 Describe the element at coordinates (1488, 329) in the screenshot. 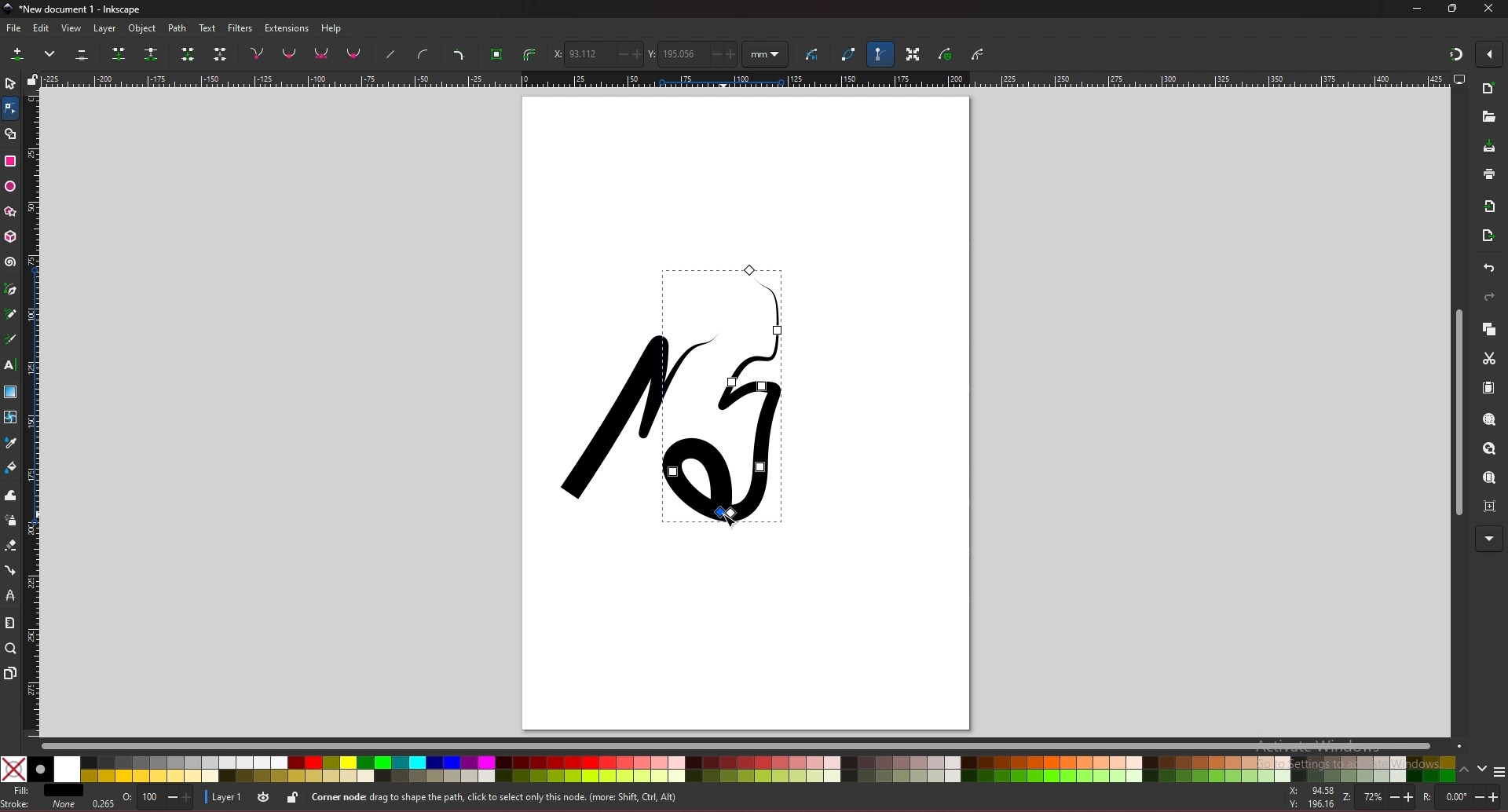

I see `copy` at that location.